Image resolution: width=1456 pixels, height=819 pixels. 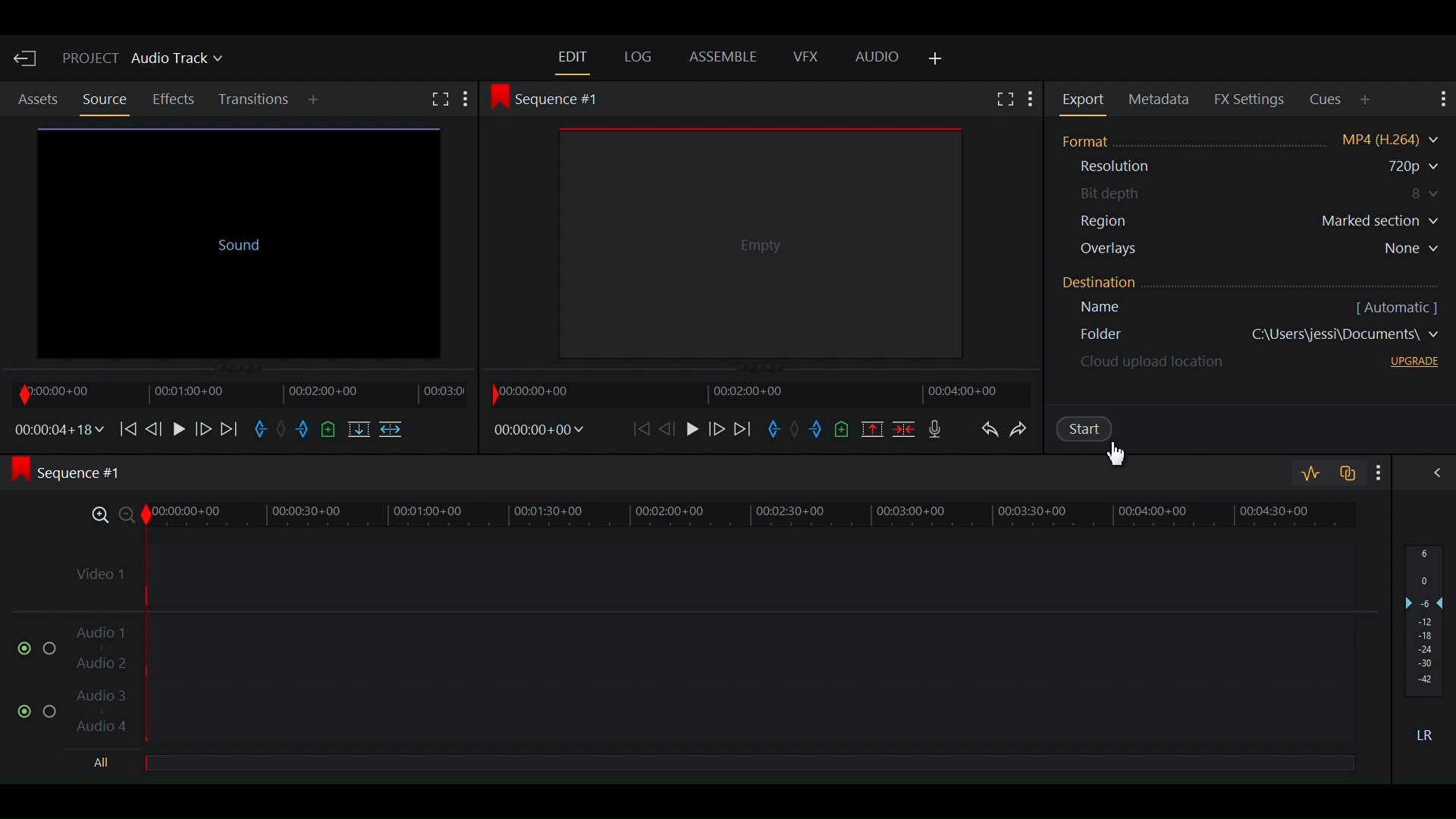 What do you see at coordinates (643, 428) in the screenshot?
I see `Move backward` at bounding box center [643, 428].